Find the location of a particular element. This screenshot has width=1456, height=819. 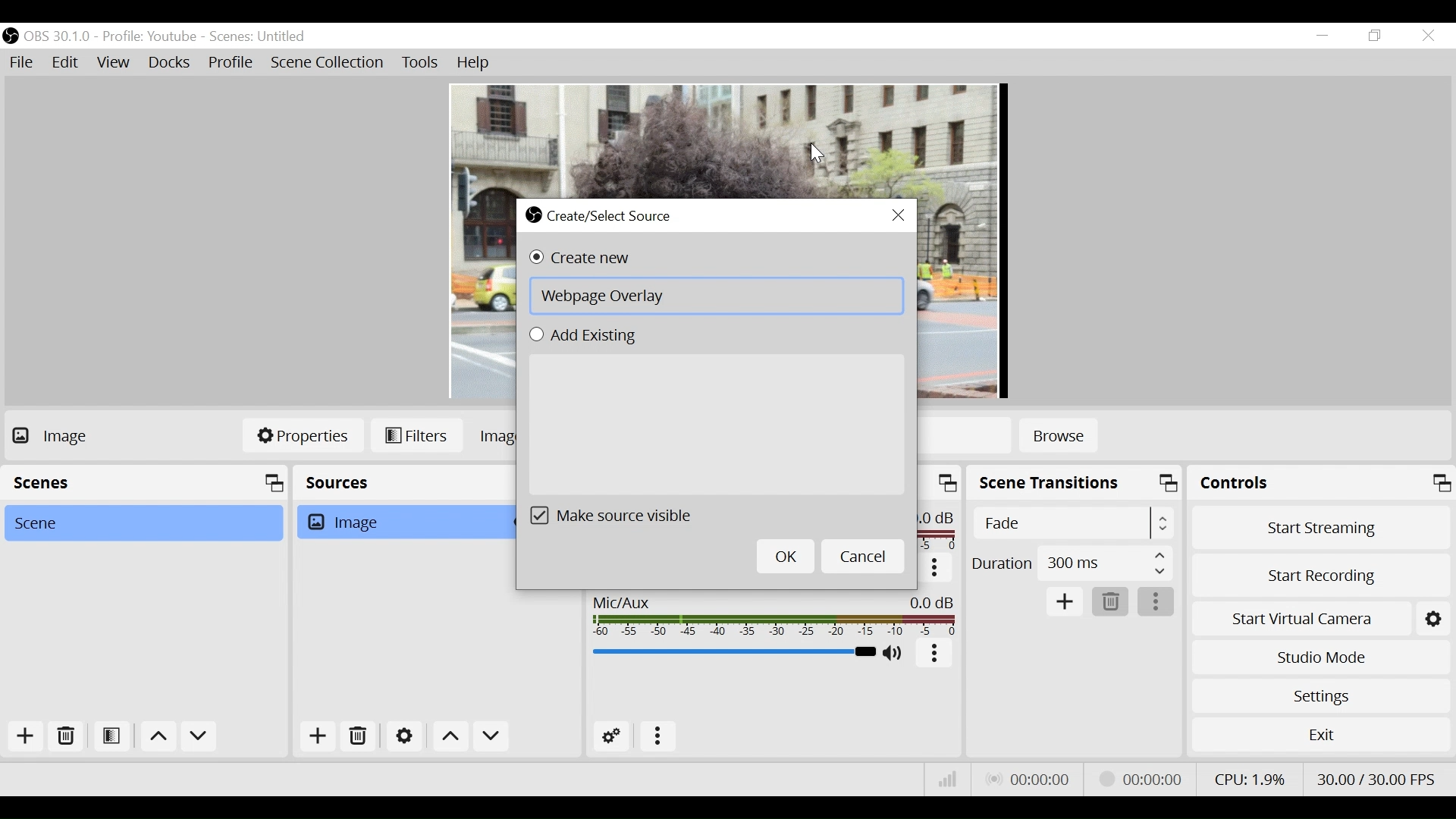

Scene Name is located at coordinates (261, 37).